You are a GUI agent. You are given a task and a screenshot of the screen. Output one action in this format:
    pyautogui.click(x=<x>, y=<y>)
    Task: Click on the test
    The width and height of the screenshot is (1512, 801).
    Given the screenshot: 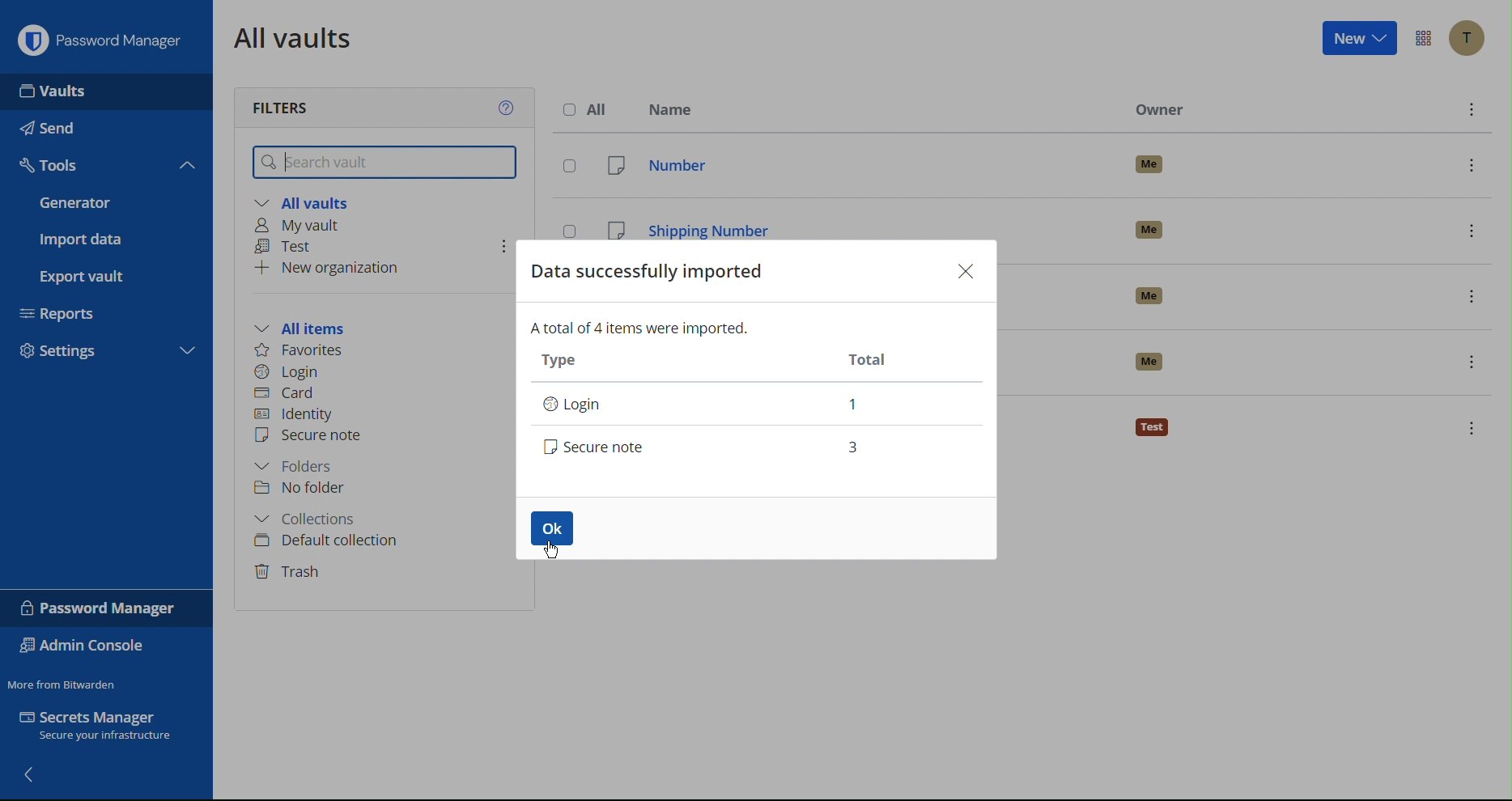 What is the action you would take?
    pyautogui.click(x=1058, y=363)
    